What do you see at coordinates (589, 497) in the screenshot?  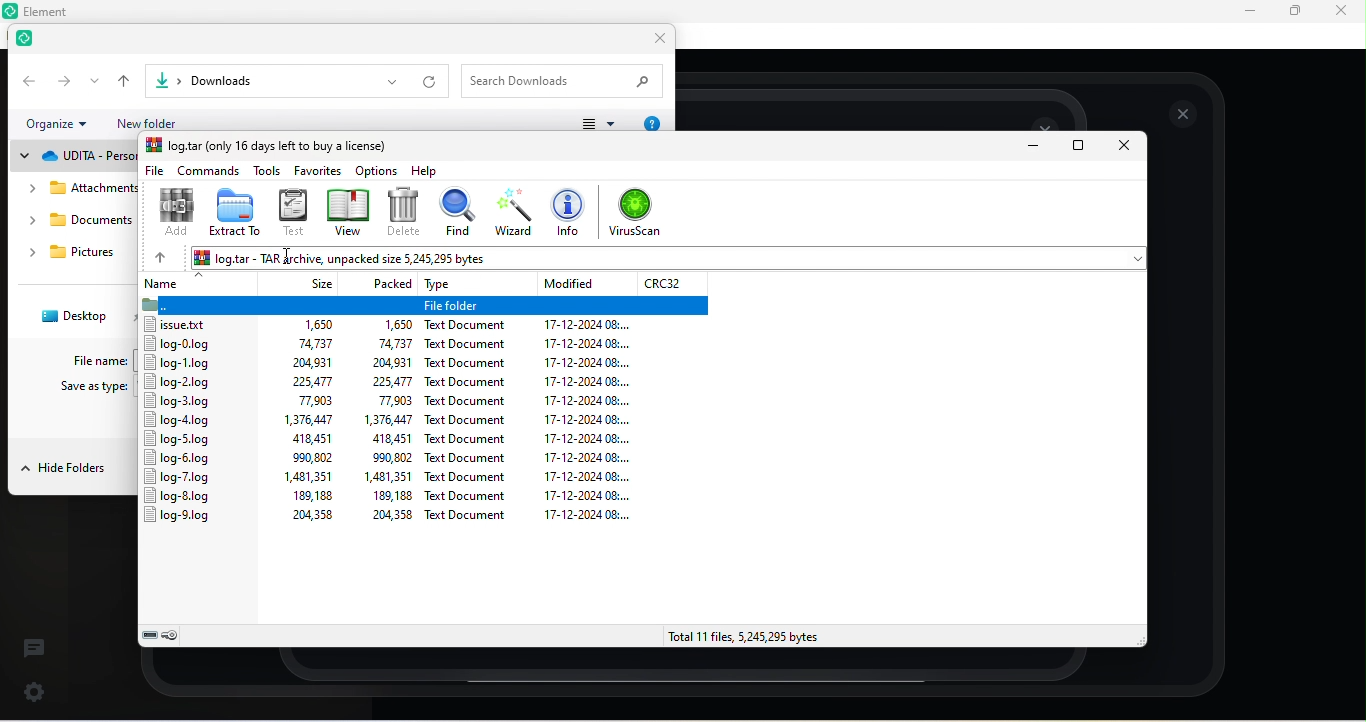 I see `17-12-2024 08:...` at bounding box center [589, 497].